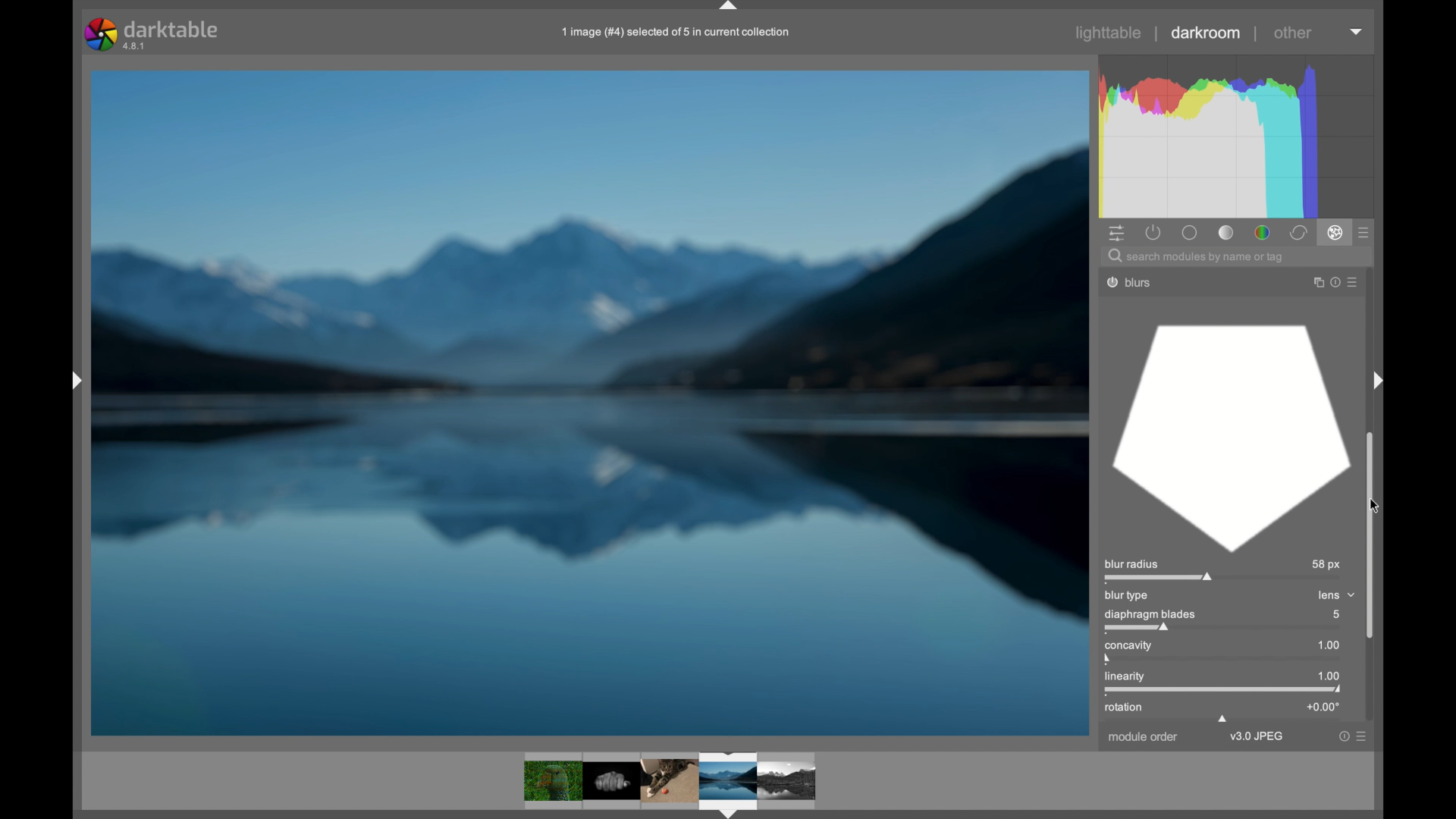 Image resolution: width=1456 pixels, height=819 pixels. Describe the element at coordinates (1382, 510) in the screenshot. I see `cursor` at that location.